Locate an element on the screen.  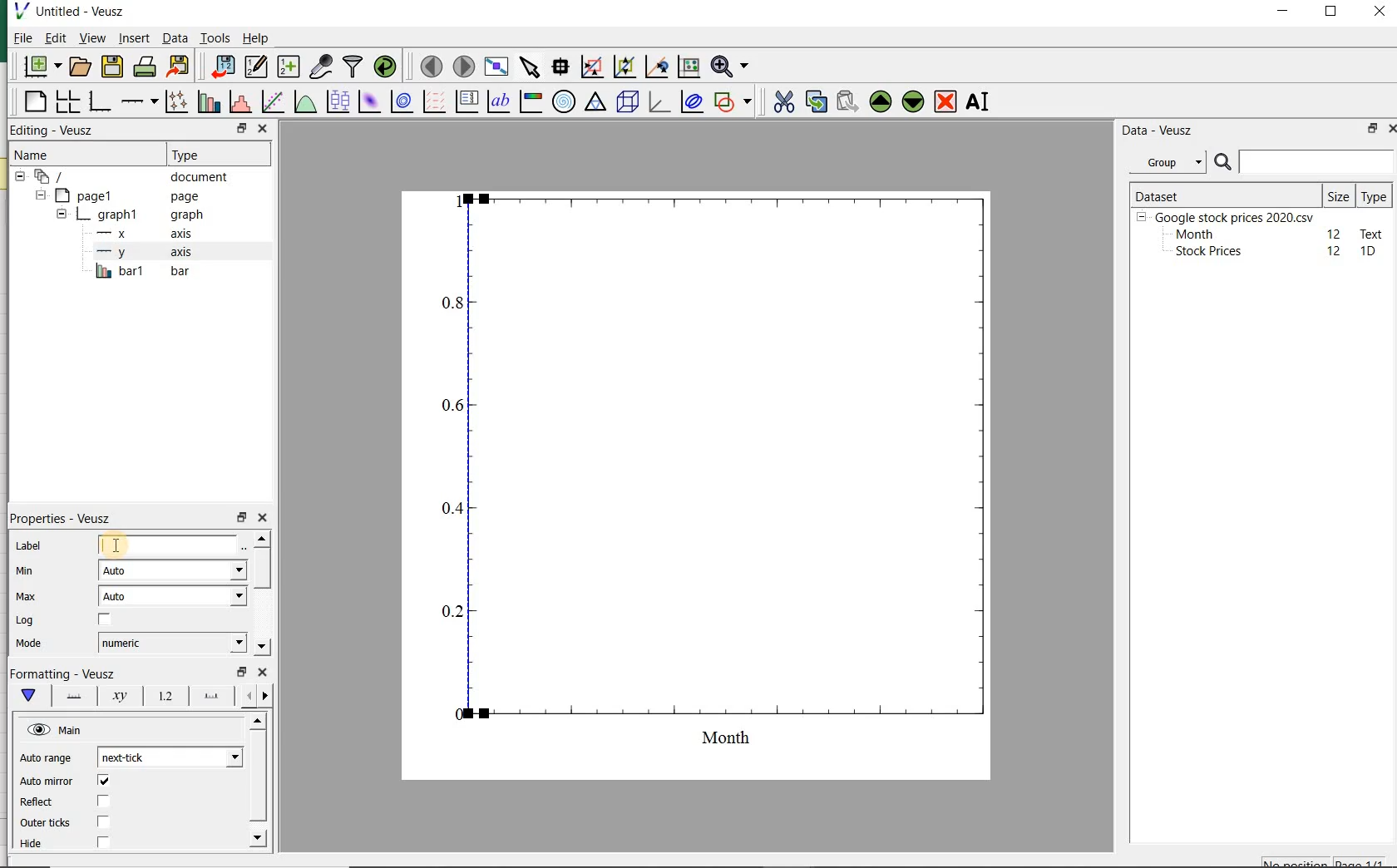
create new datasets is located at coordinates (289, 67).